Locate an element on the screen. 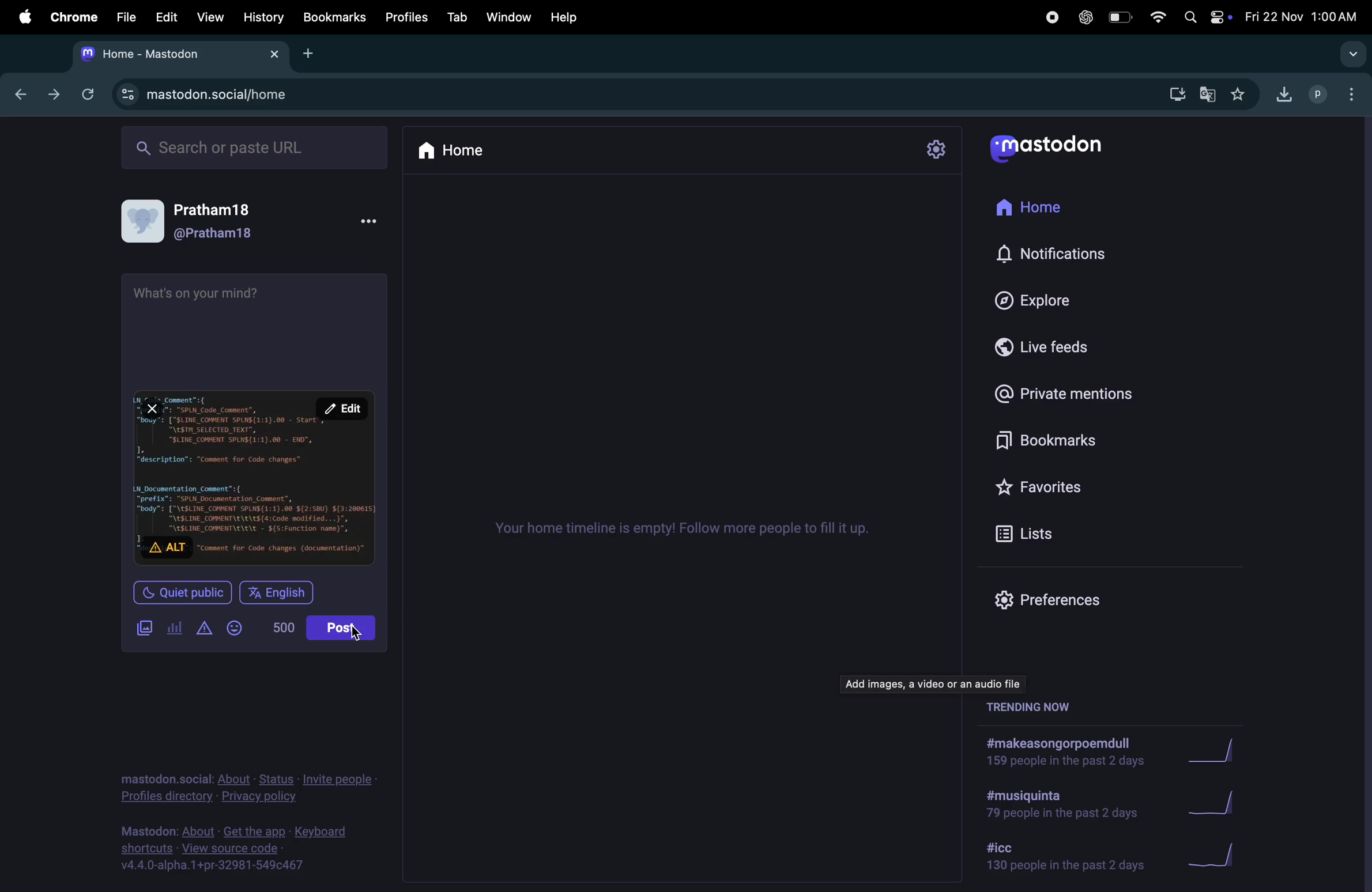 The image size is (1372, 892). options is located at coordinates (1348, 91).